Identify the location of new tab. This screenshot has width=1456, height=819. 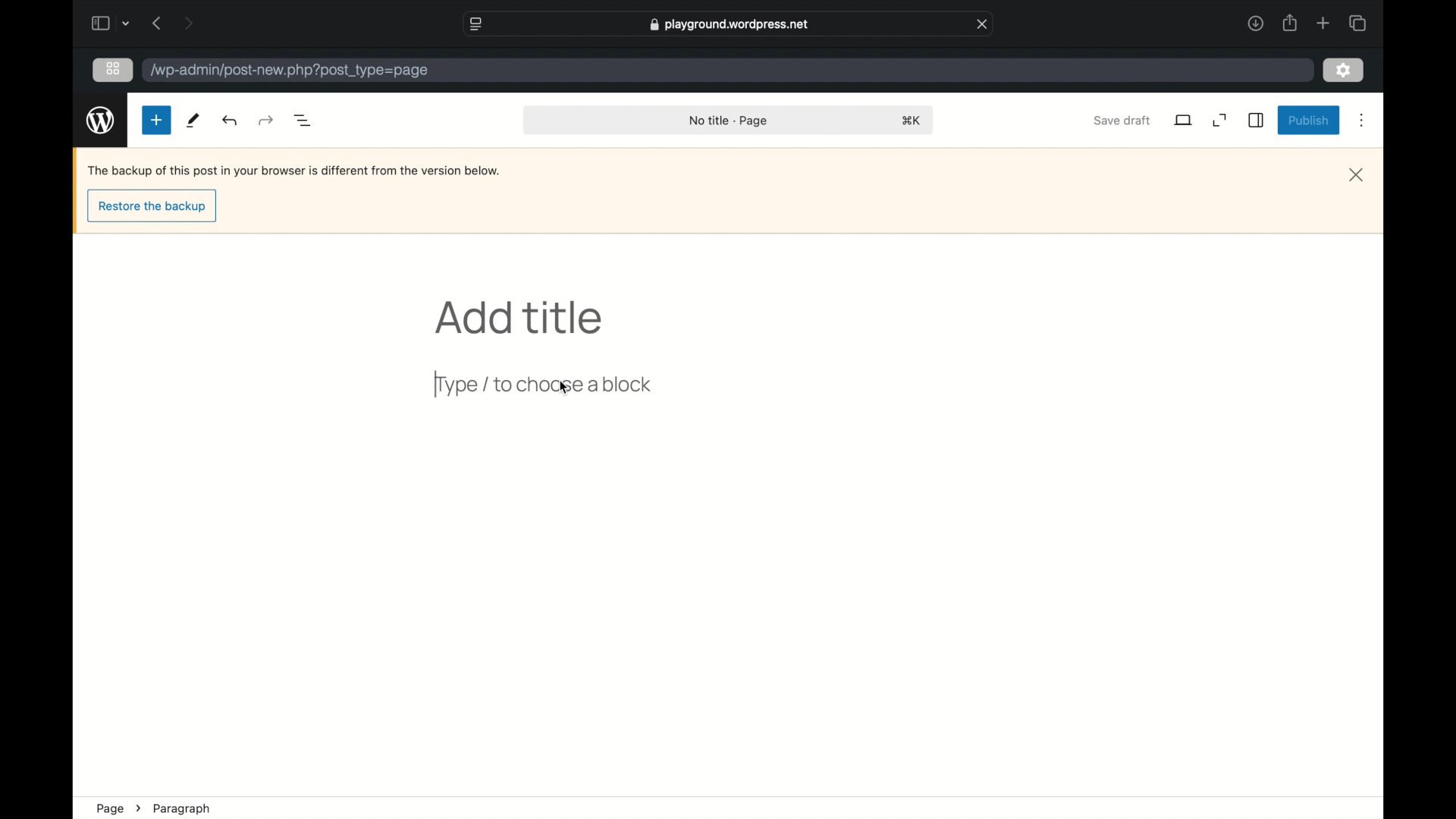
(1324, 23).